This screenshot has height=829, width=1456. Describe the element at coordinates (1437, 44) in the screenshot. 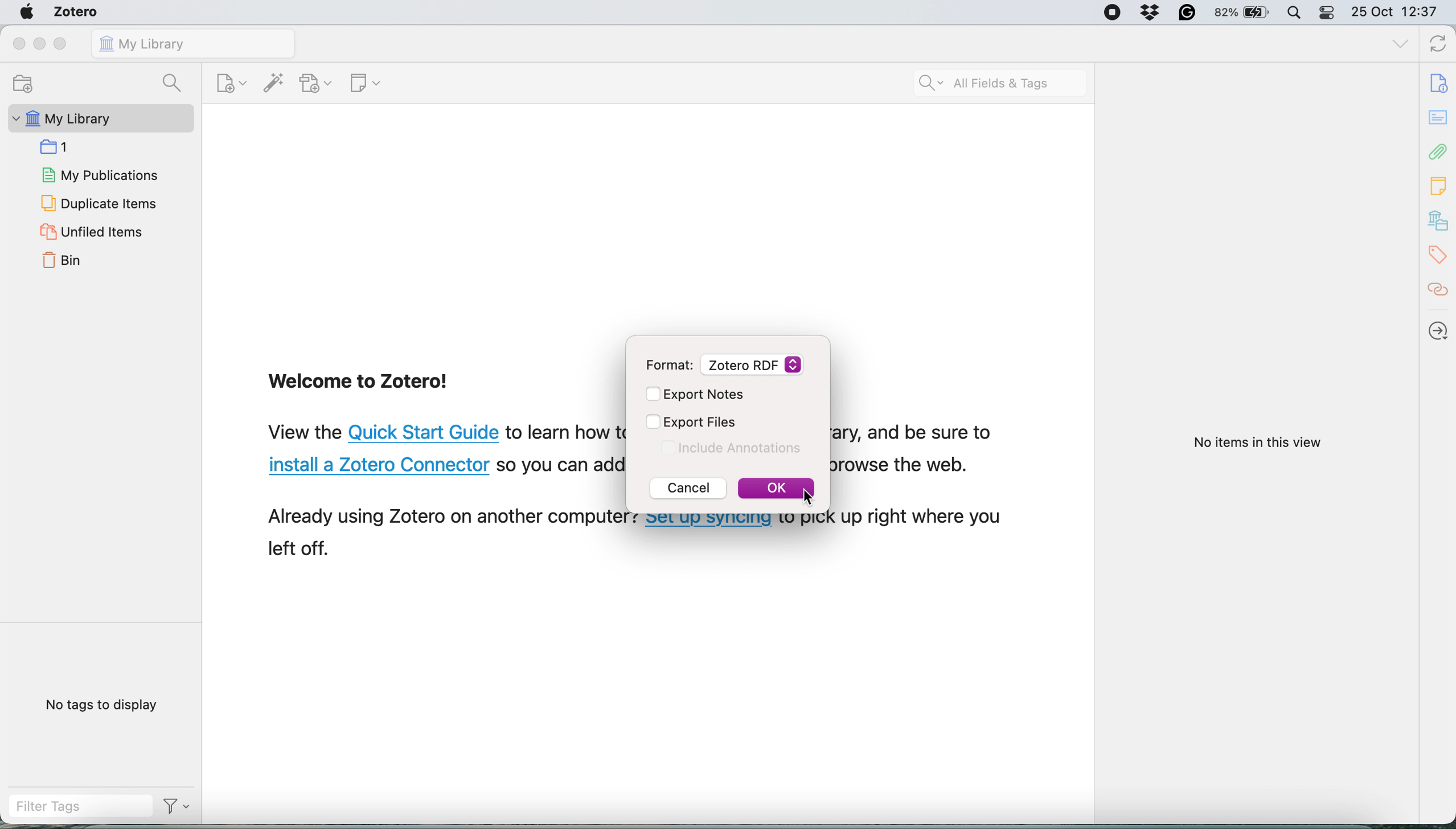

I see `sync with zotero.org` at that location.